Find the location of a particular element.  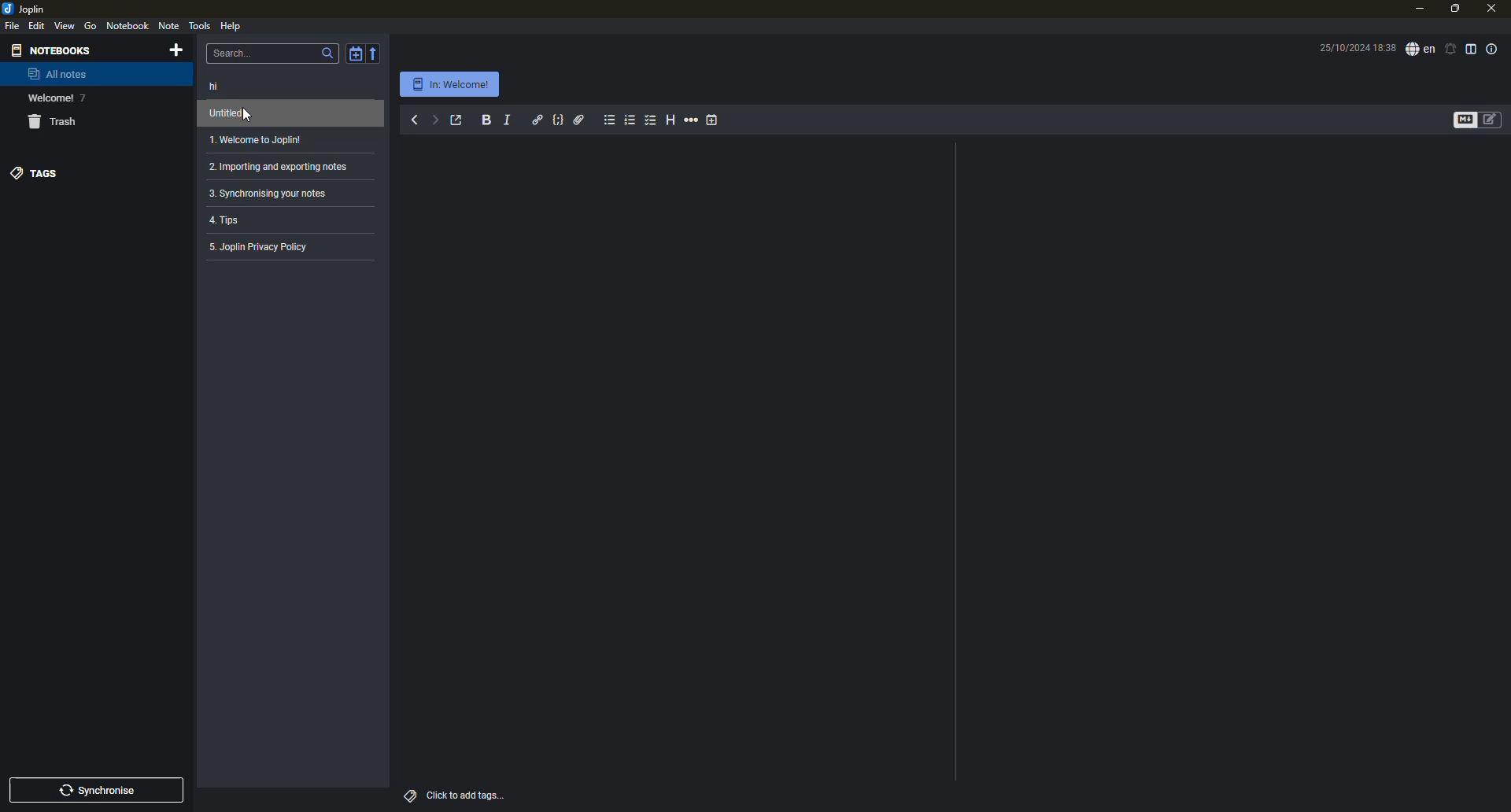

search bar is located at coordinates (274, 52).